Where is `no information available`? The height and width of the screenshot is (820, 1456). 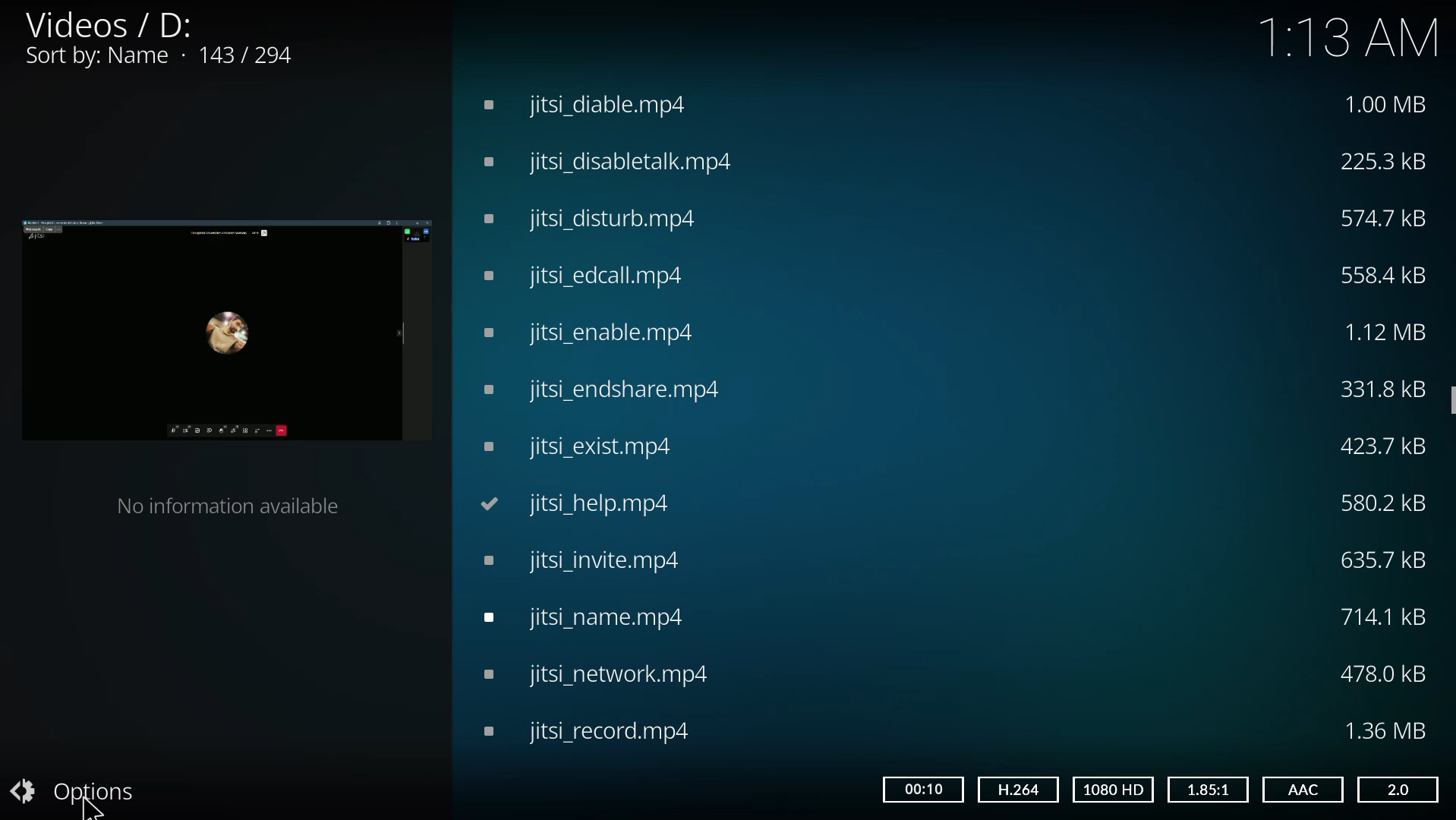
no information available is located at coordinates (231, 501).